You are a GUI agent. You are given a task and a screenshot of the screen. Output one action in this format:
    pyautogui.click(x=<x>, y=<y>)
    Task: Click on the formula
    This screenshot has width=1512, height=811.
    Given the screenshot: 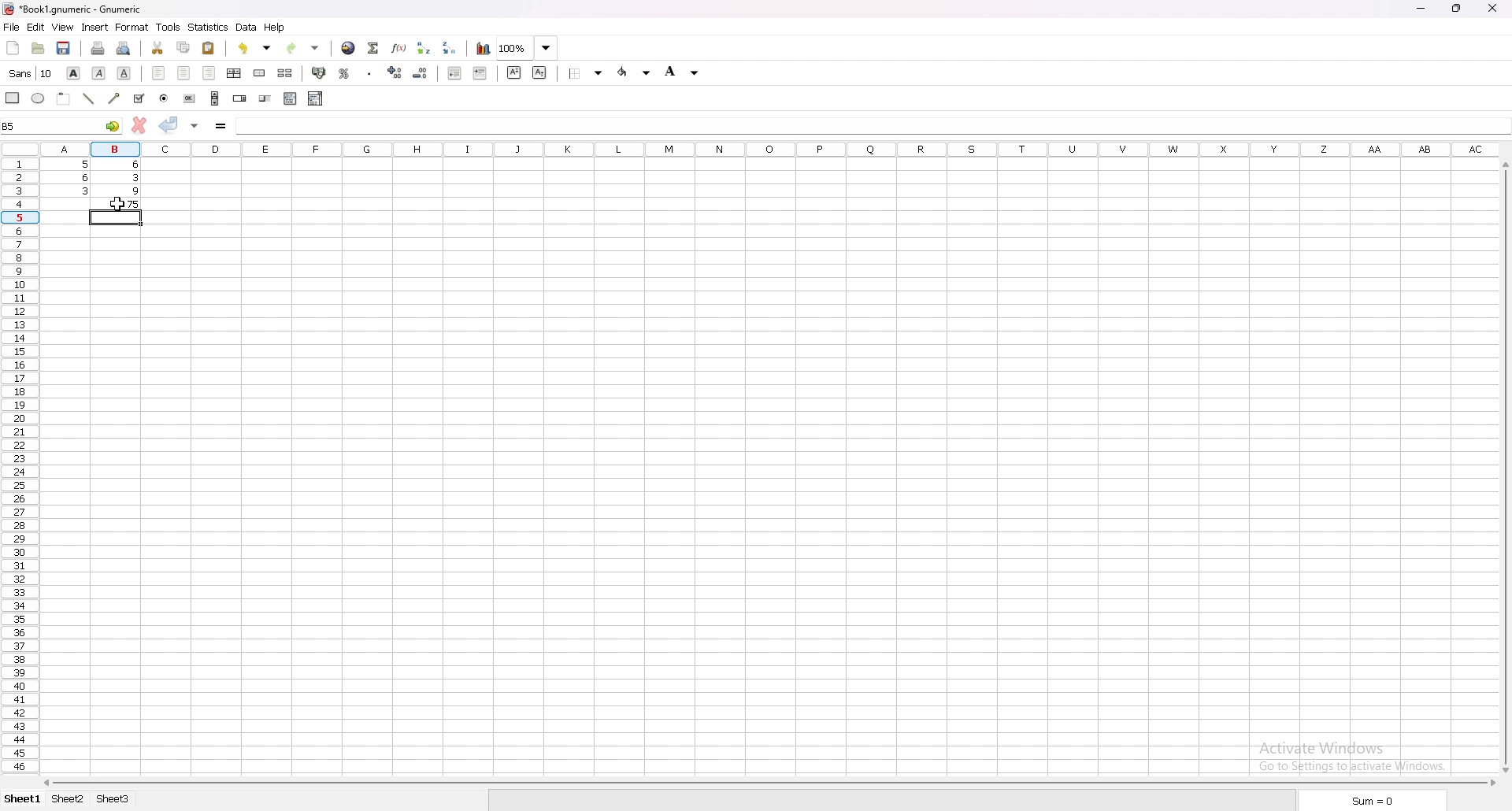 What is the action you would take?
    pyautogui.click(x=221, y=127)
    